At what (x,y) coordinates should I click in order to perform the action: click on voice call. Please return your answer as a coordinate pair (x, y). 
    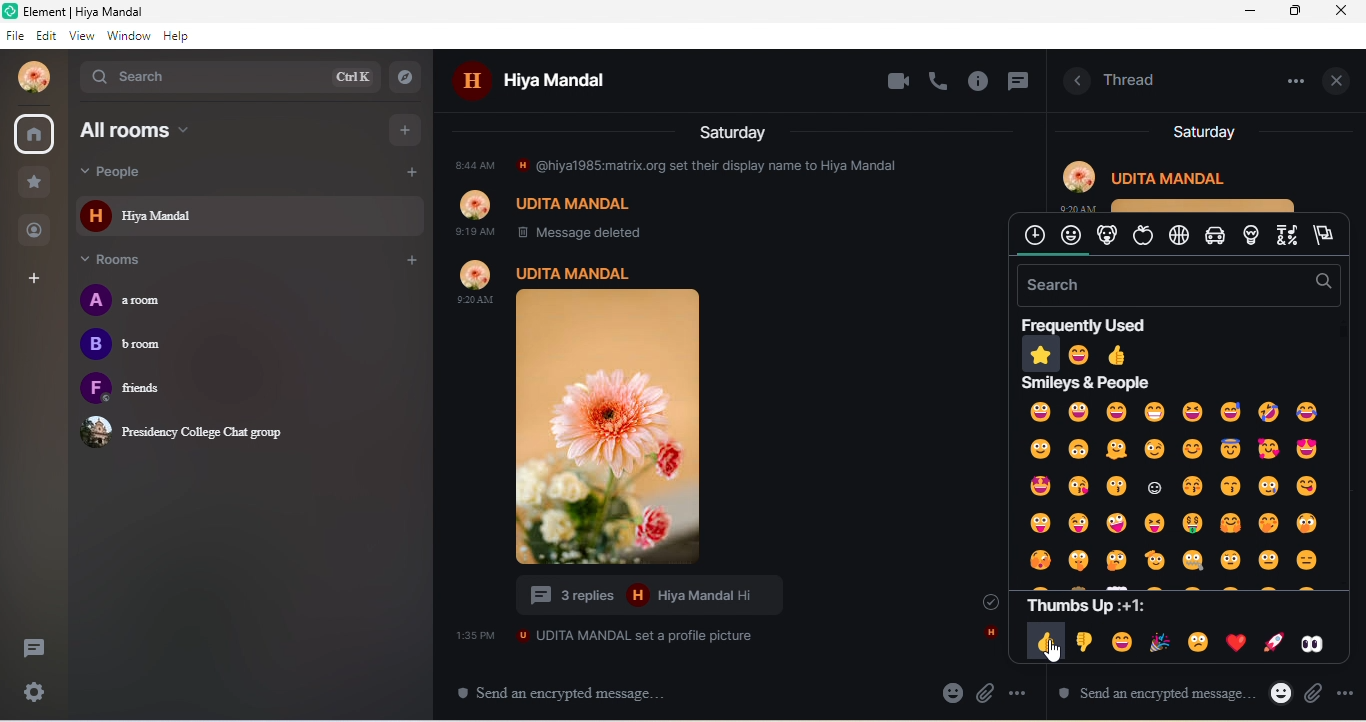
    Looking at the image, I should click on (940, 80).